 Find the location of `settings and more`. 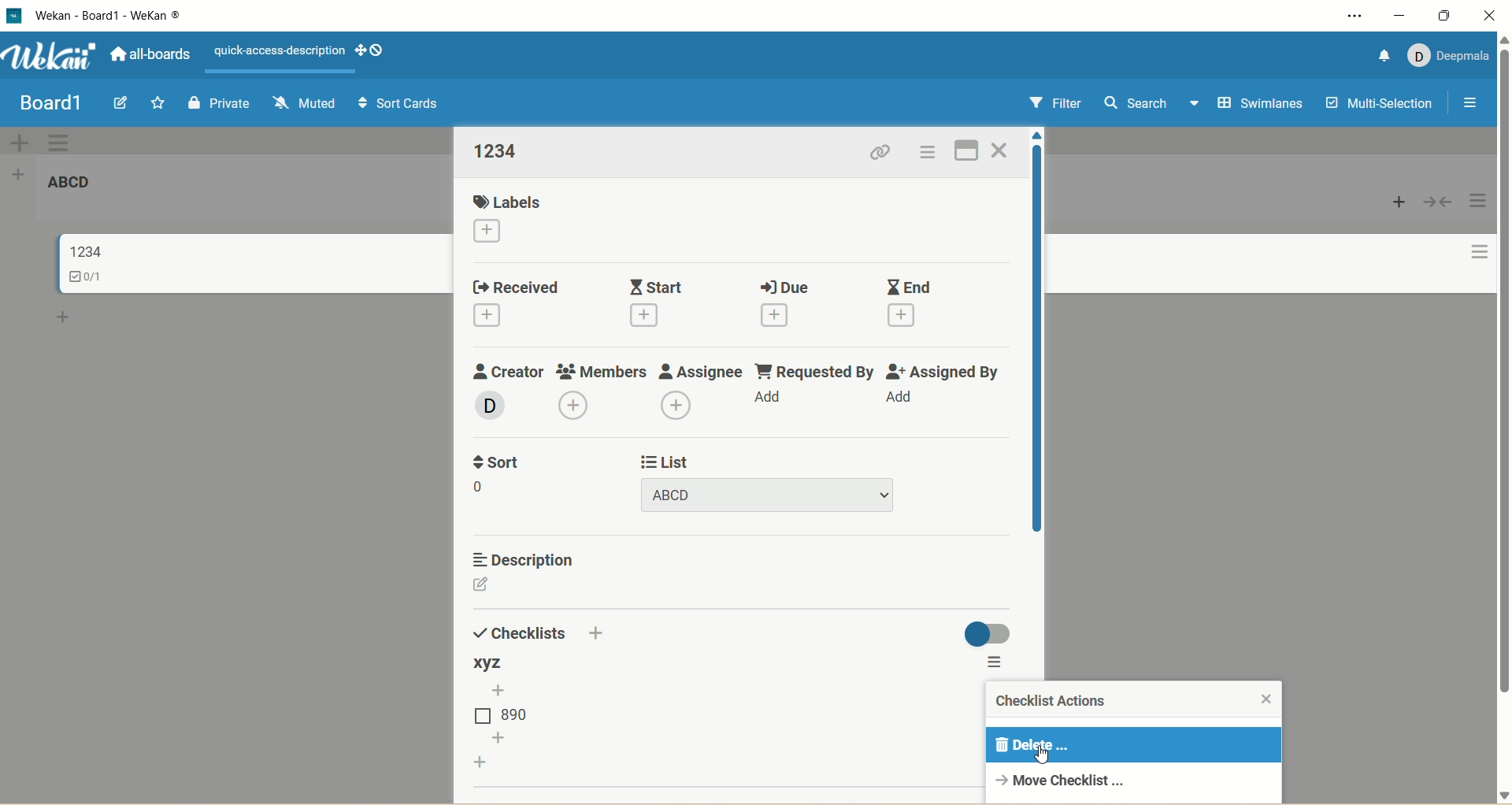

settings and more is located at coordinates (1358, 16).